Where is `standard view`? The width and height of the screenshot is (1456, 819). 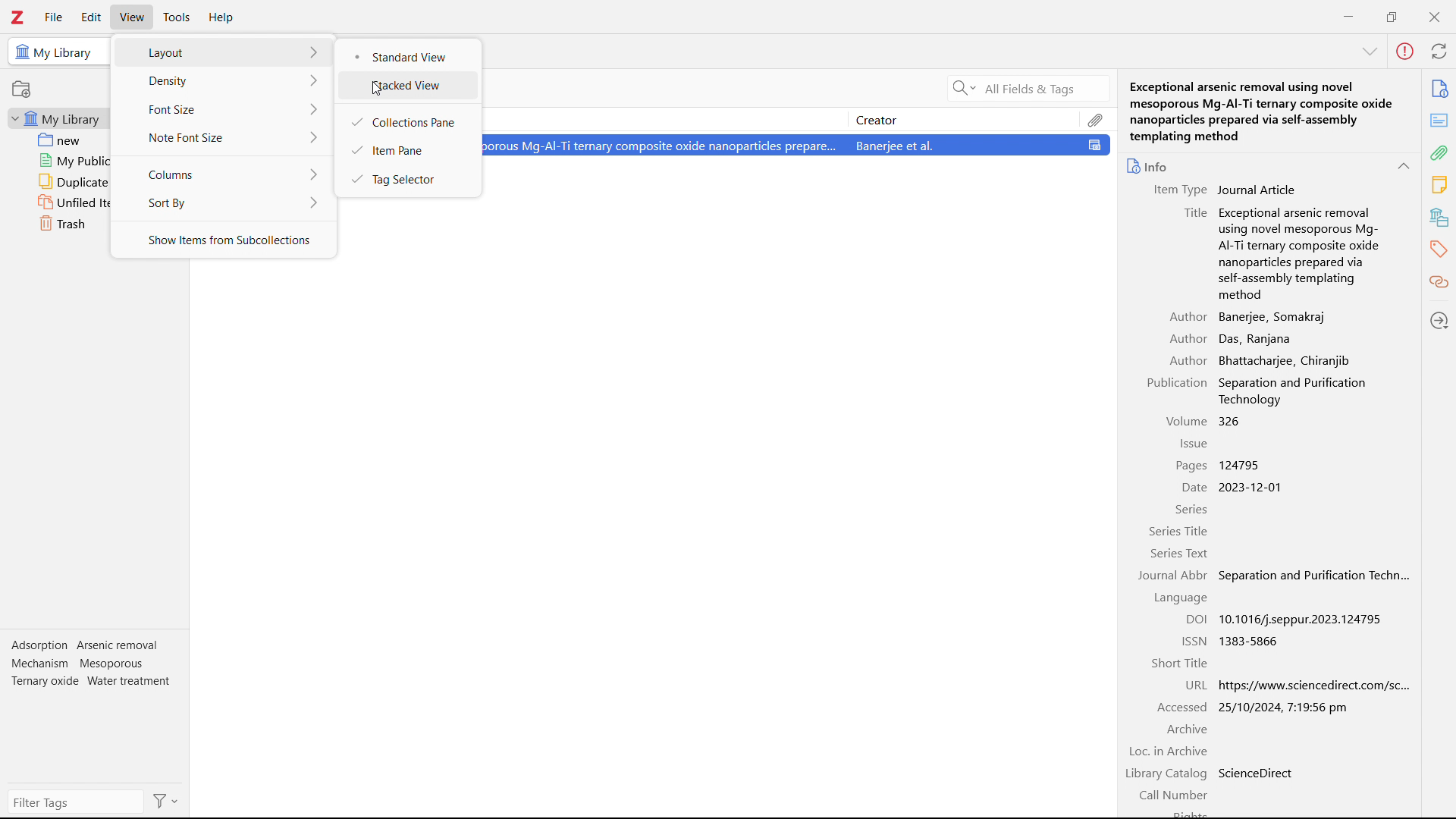
standard view is located at coordinates (409, 58).